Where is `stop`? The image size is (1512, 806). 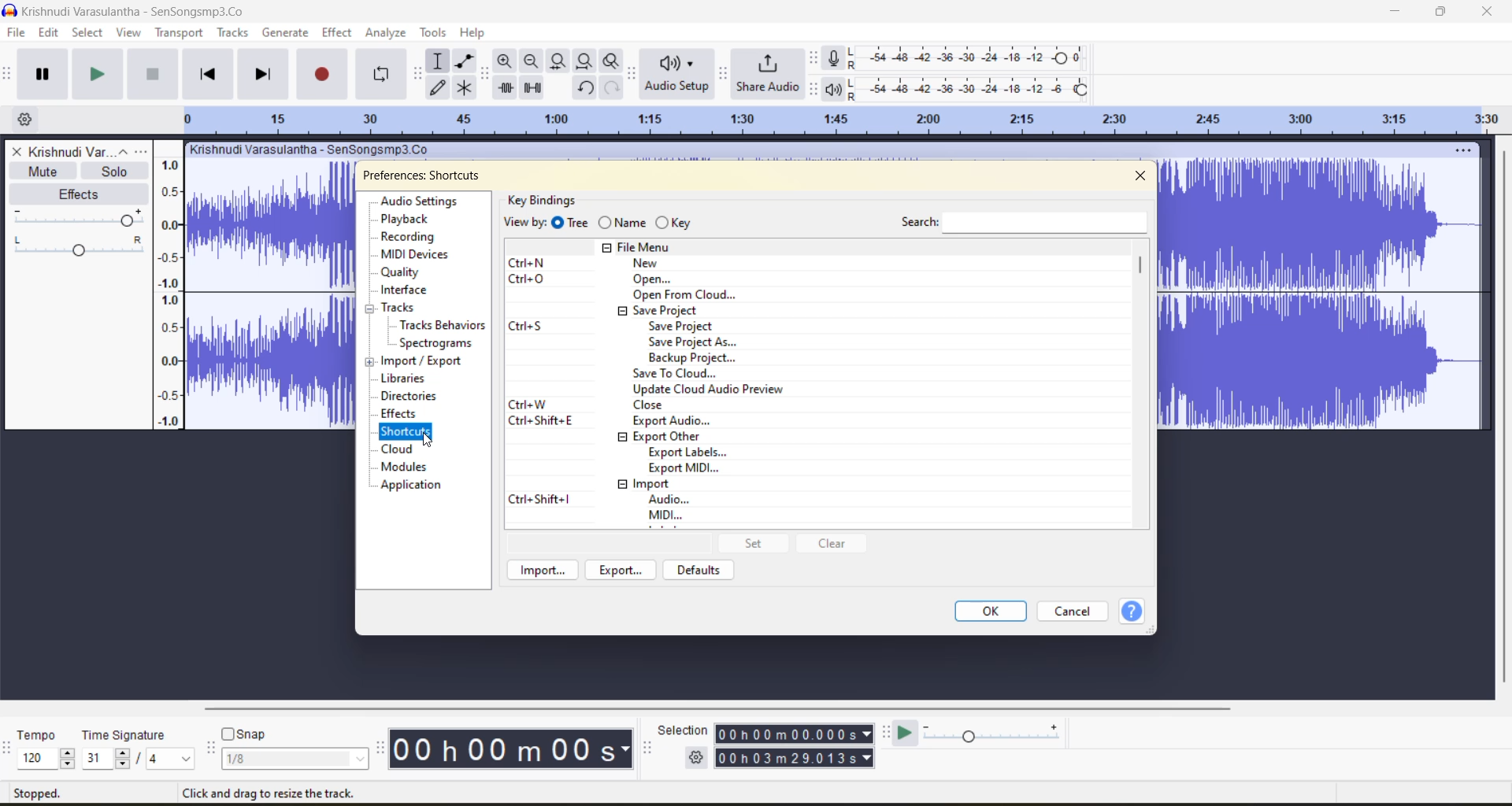 stop is located at coordinates (154, 76).